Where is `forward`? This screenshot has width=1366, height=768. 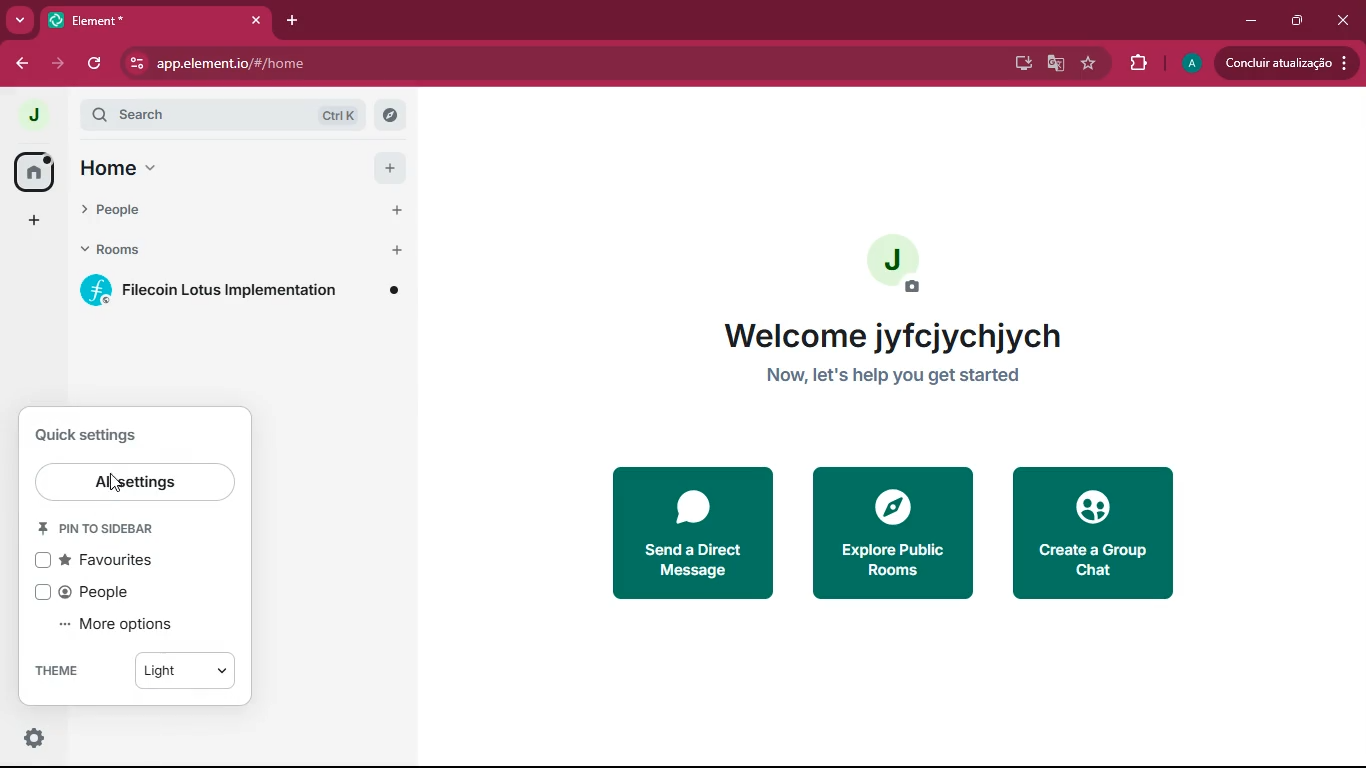 forward is located at coordinates (61, 64).